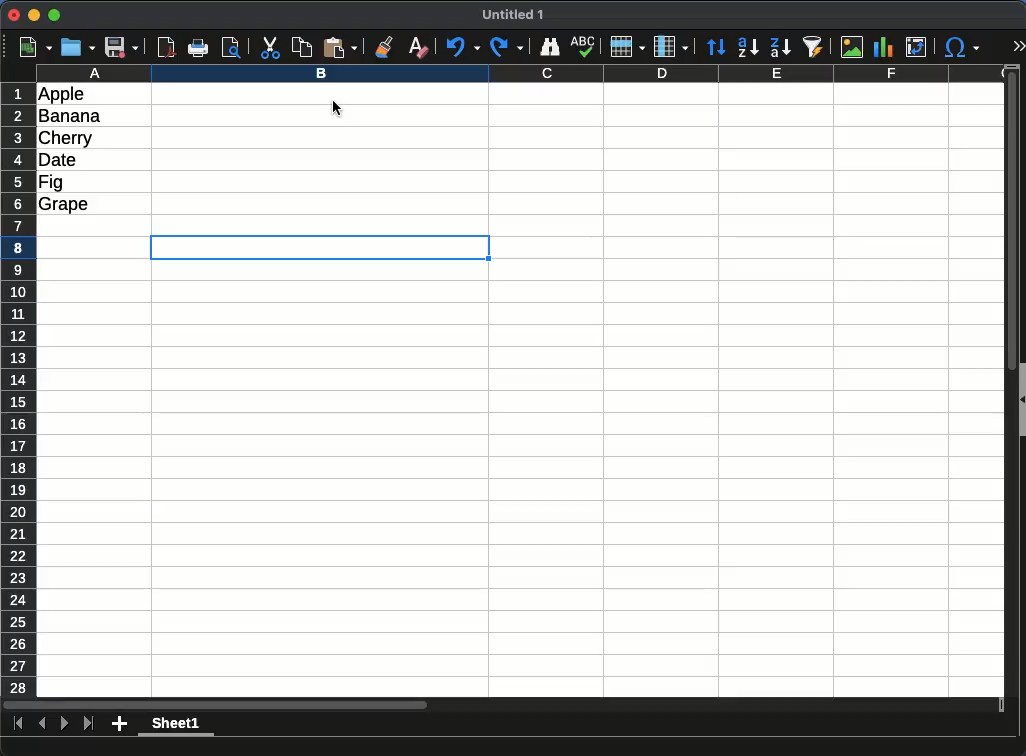 The image size is (1026, 756). Describe the element at coordinates (717, 47) in the screenshot. I see `sort` at that location.